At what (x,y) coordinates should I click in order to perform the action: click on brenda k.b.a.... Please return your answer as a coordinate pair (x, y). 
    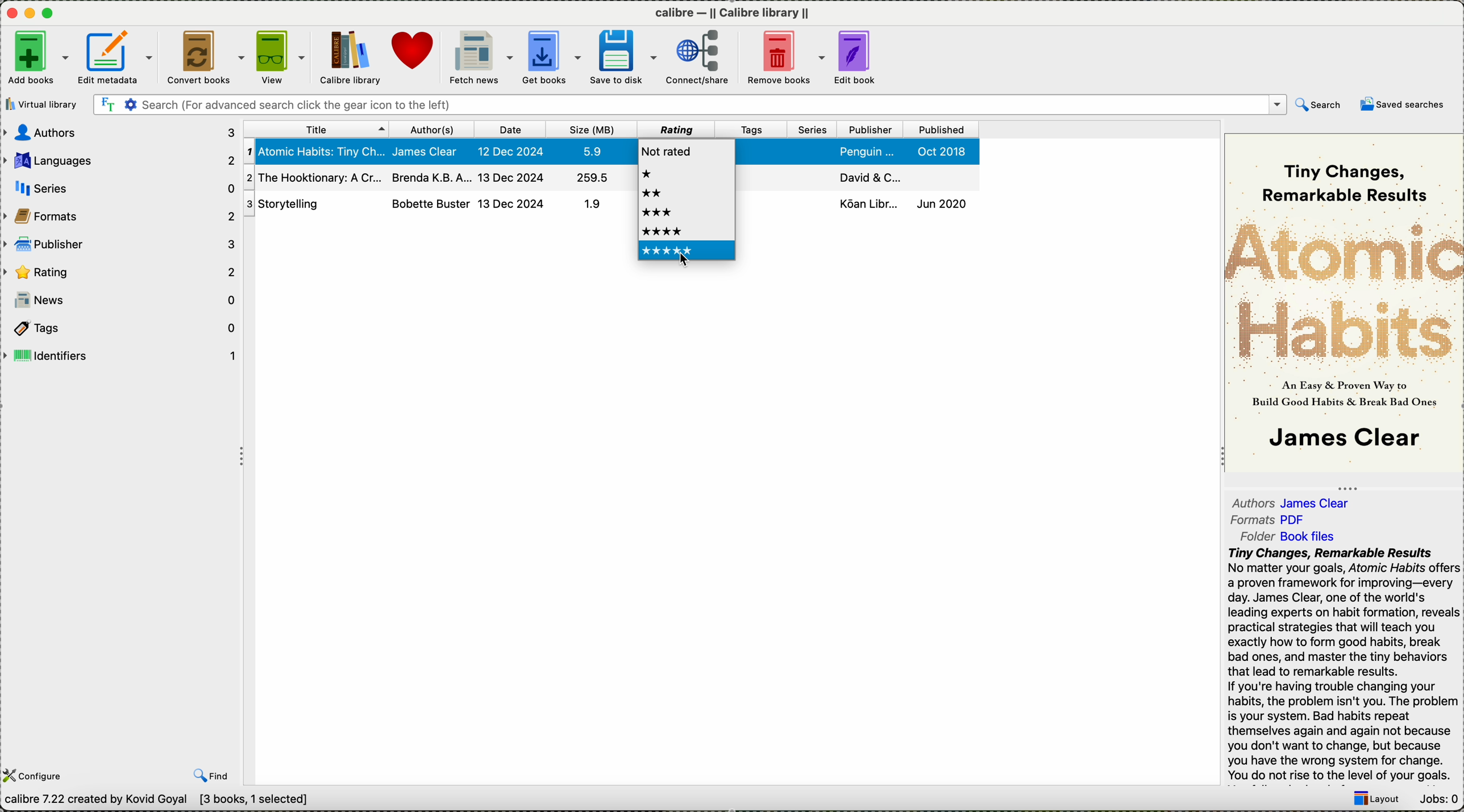
    Looking at the image, I should click on (430, 176).